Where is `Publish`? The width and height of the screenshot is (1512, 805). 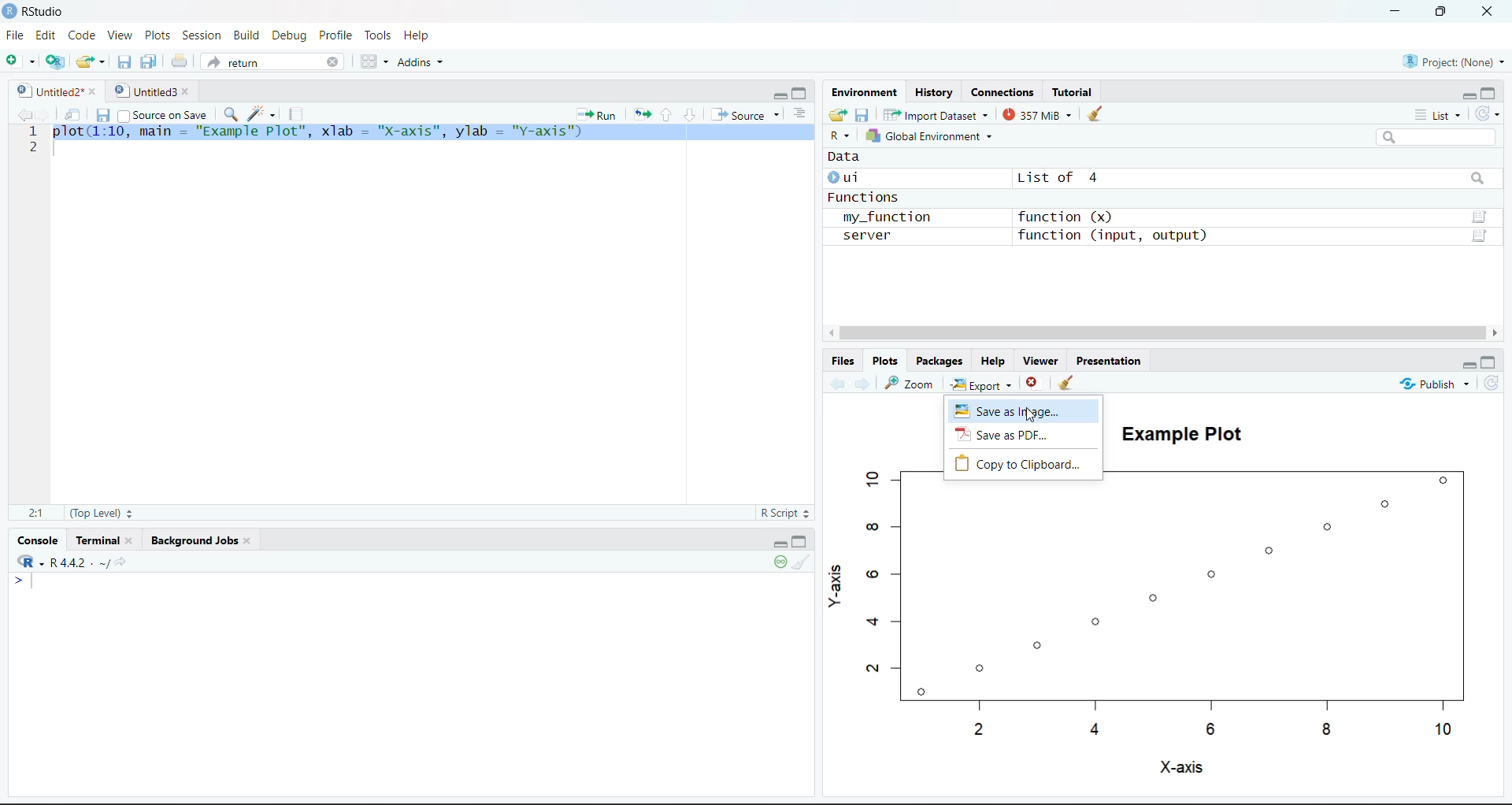
Publish is located at coordinates (1434, 382).